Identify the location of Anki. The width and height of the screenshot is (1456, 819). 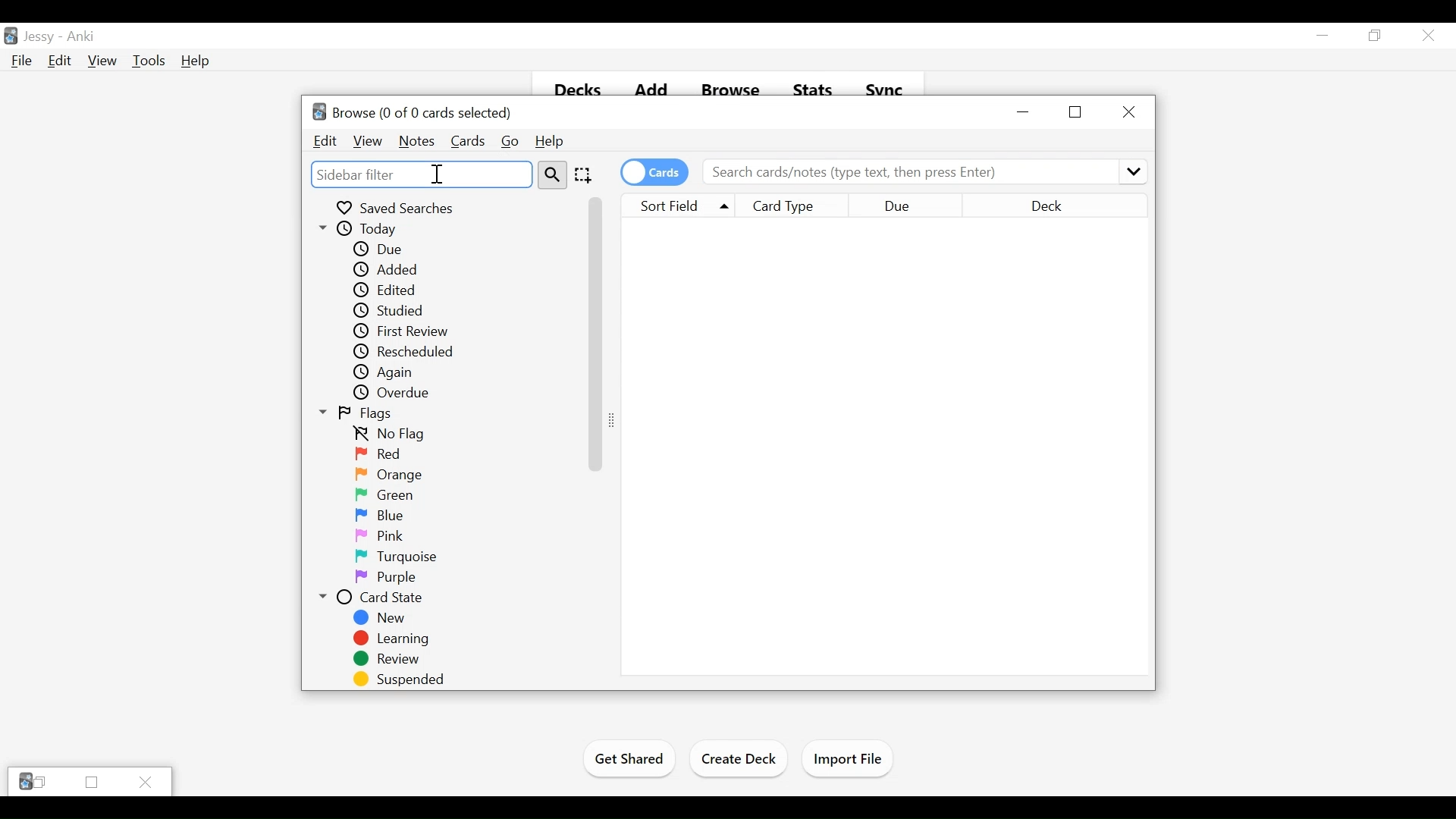
(80, 37).